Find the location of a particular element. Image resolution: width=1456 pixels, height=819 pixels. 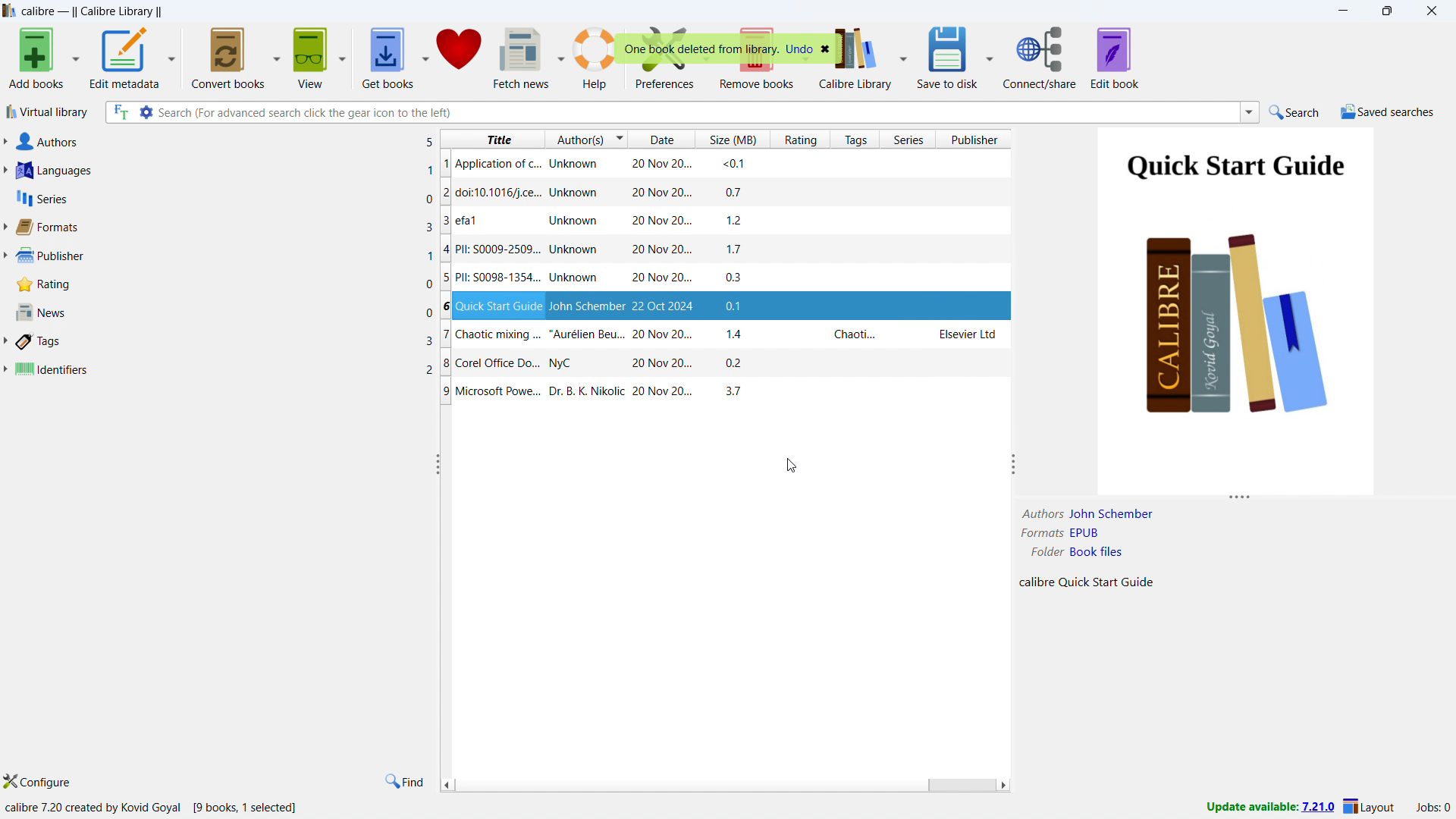

resize is located at coordinates (1239, 500).